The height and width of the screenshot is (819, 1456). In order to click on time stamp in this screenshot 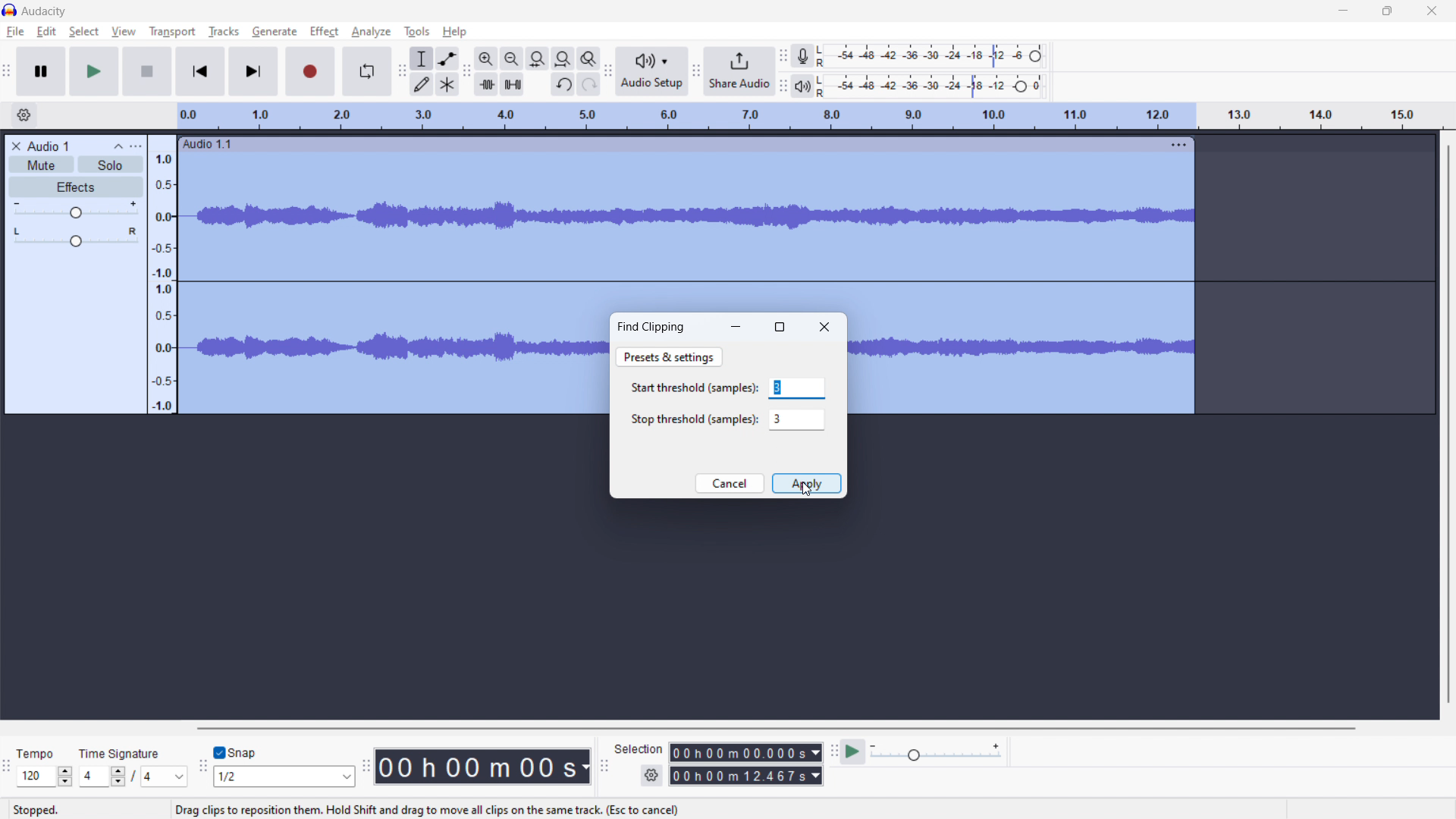, I will do `click(482, 765)`.